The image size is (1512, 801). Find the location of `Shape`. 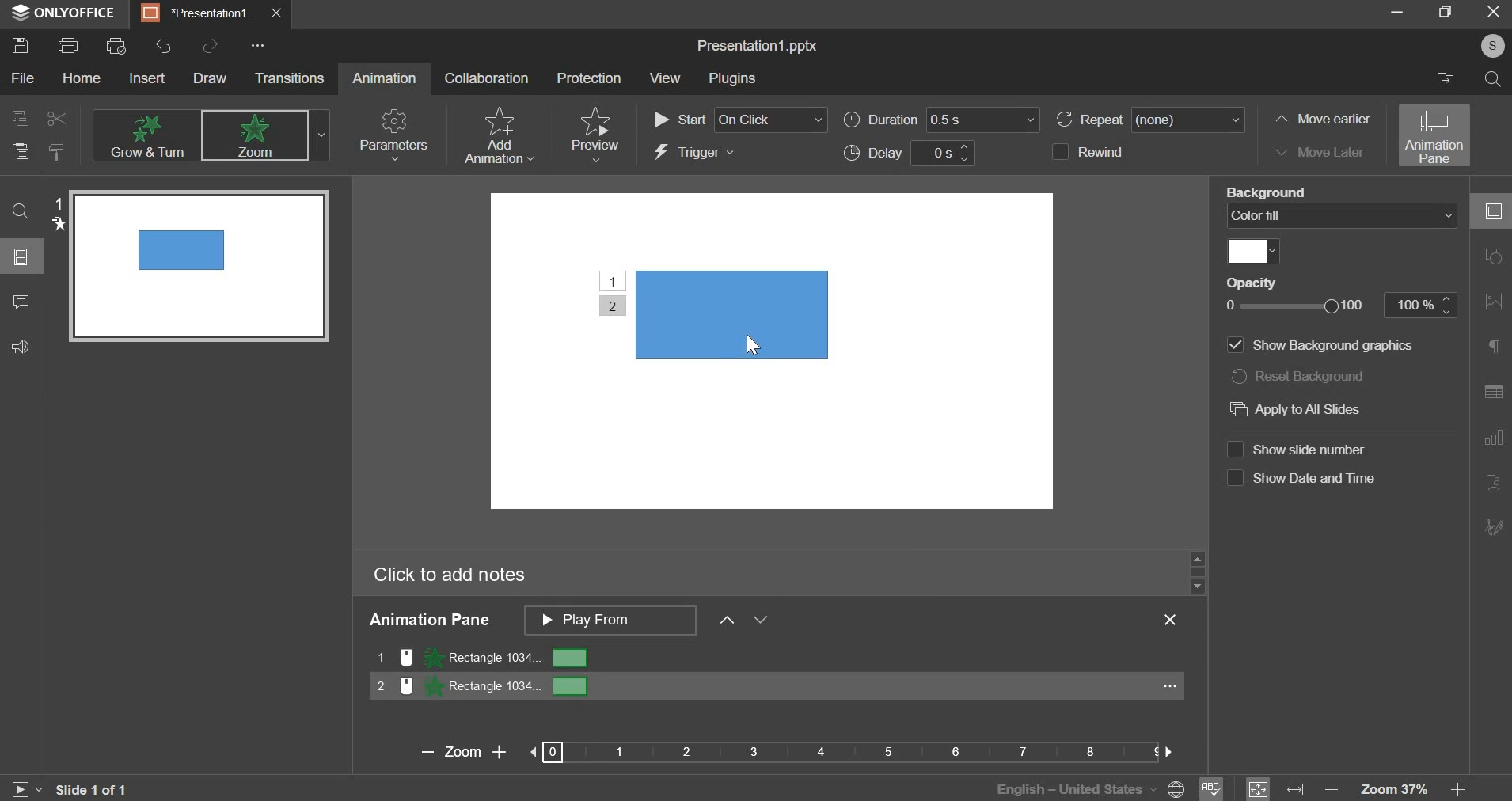

Shape is located at coordinates (716, 310).